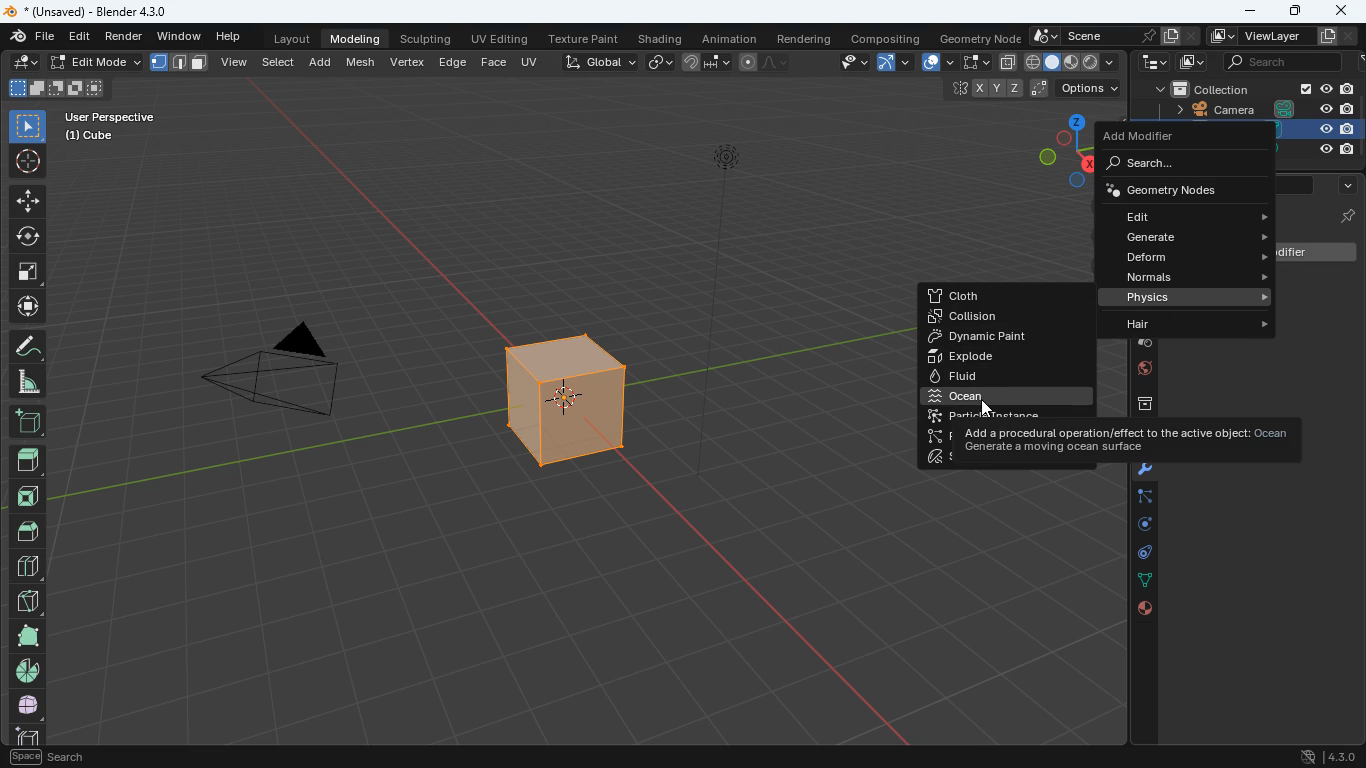  Describe the element at coordinates (236, 64) in the screenshot. I see `view` at that location.